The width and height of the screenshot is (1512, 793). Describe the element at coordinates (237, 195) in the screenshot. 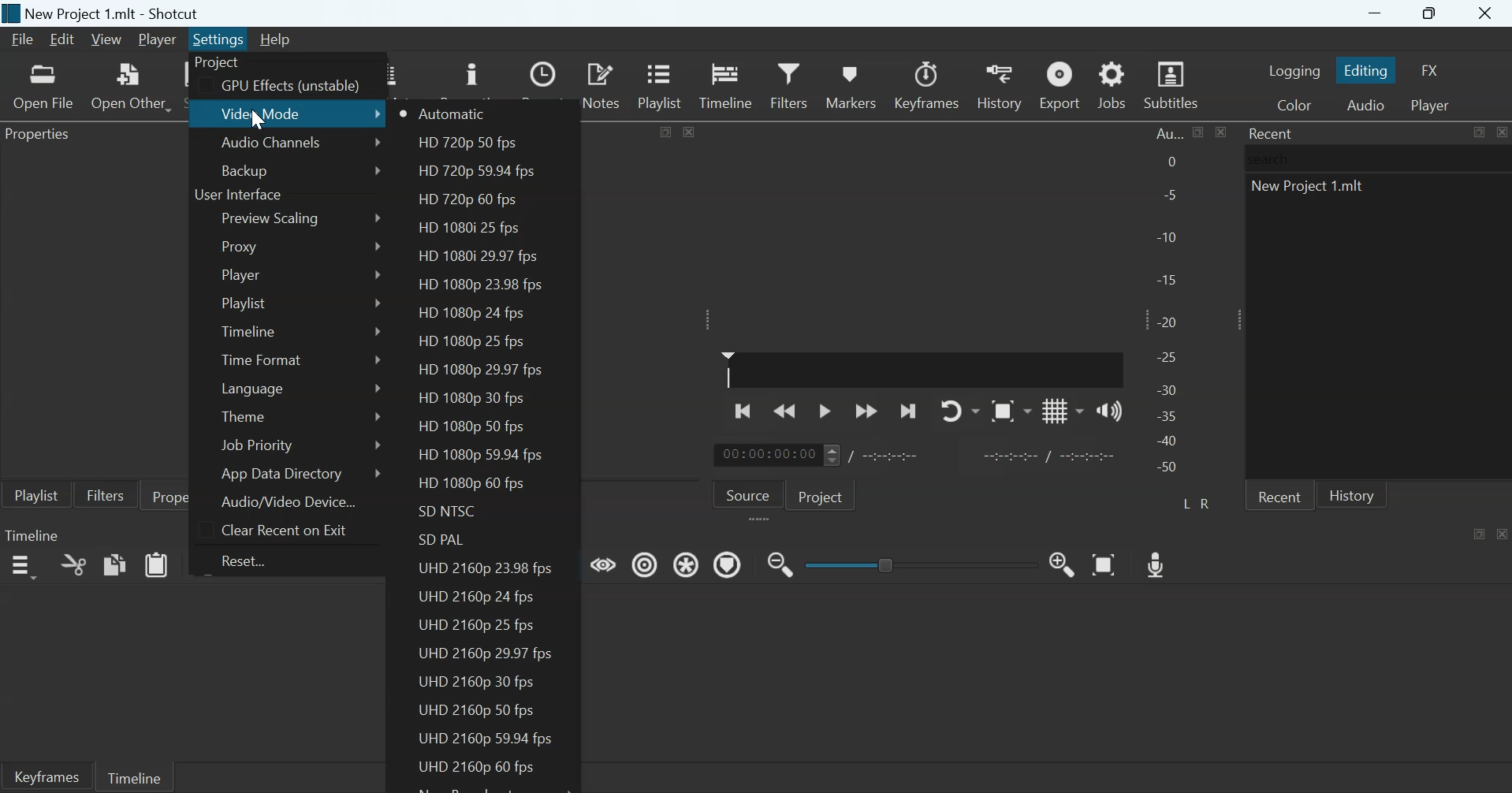

I see `User interface` at that location.